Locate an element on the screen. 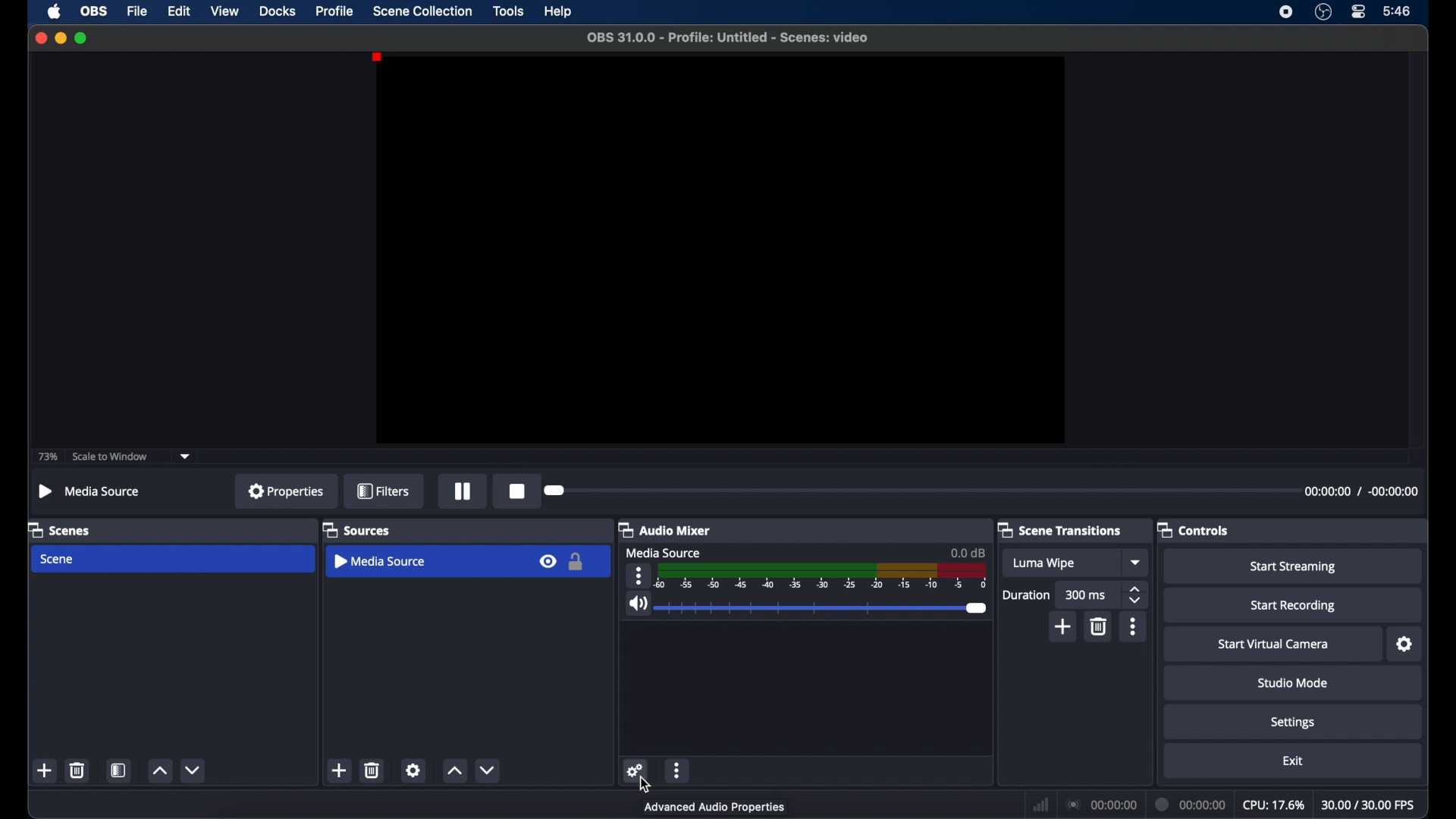  cpu is located at coordinates (1273, 805).